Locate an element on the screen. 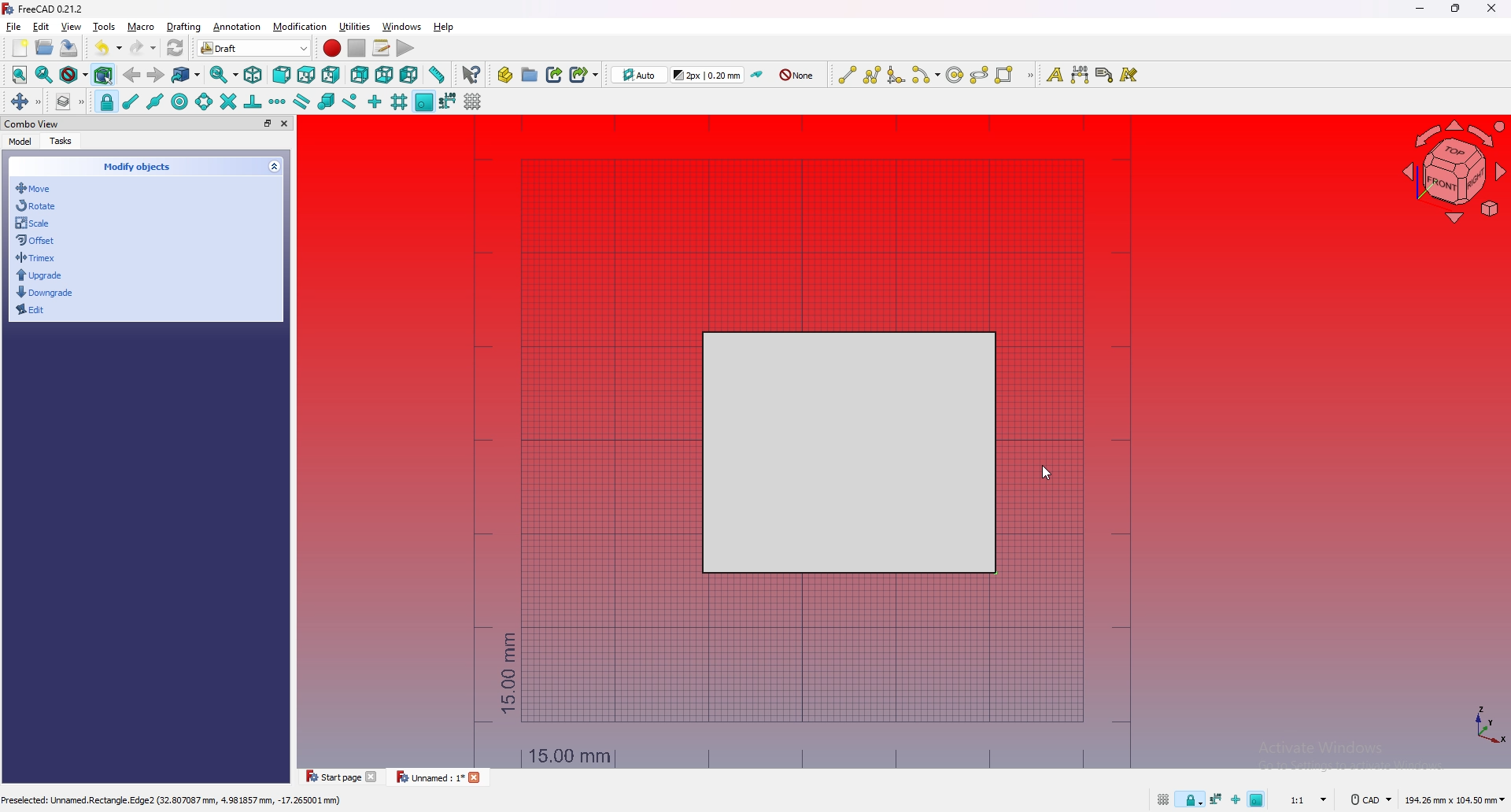  macro is located at coordinates (141, 27).